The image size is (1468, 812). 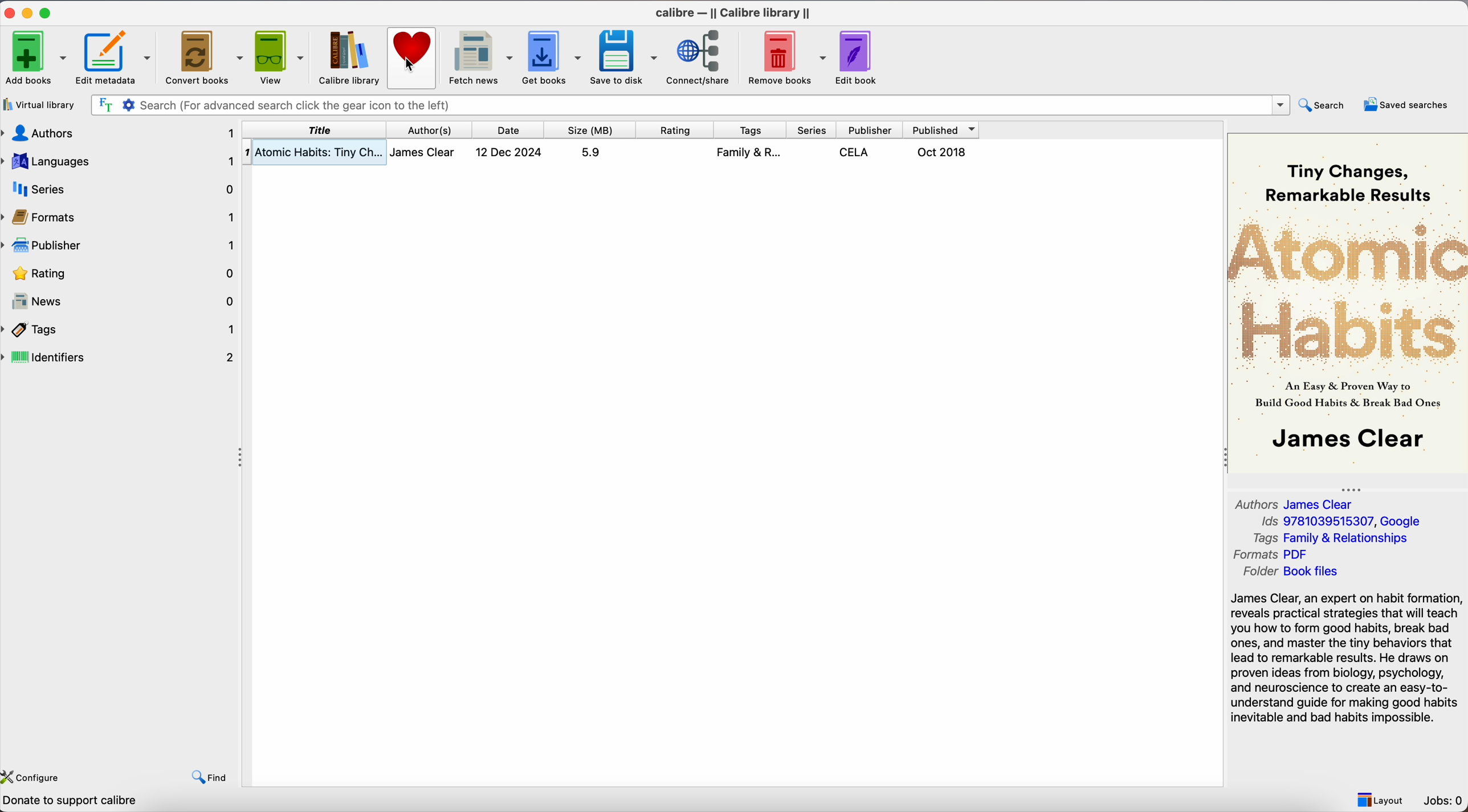 What do you see at coordinates (36, 58) in the screenshot?
I see `add books` at bounding box center [36, 58].